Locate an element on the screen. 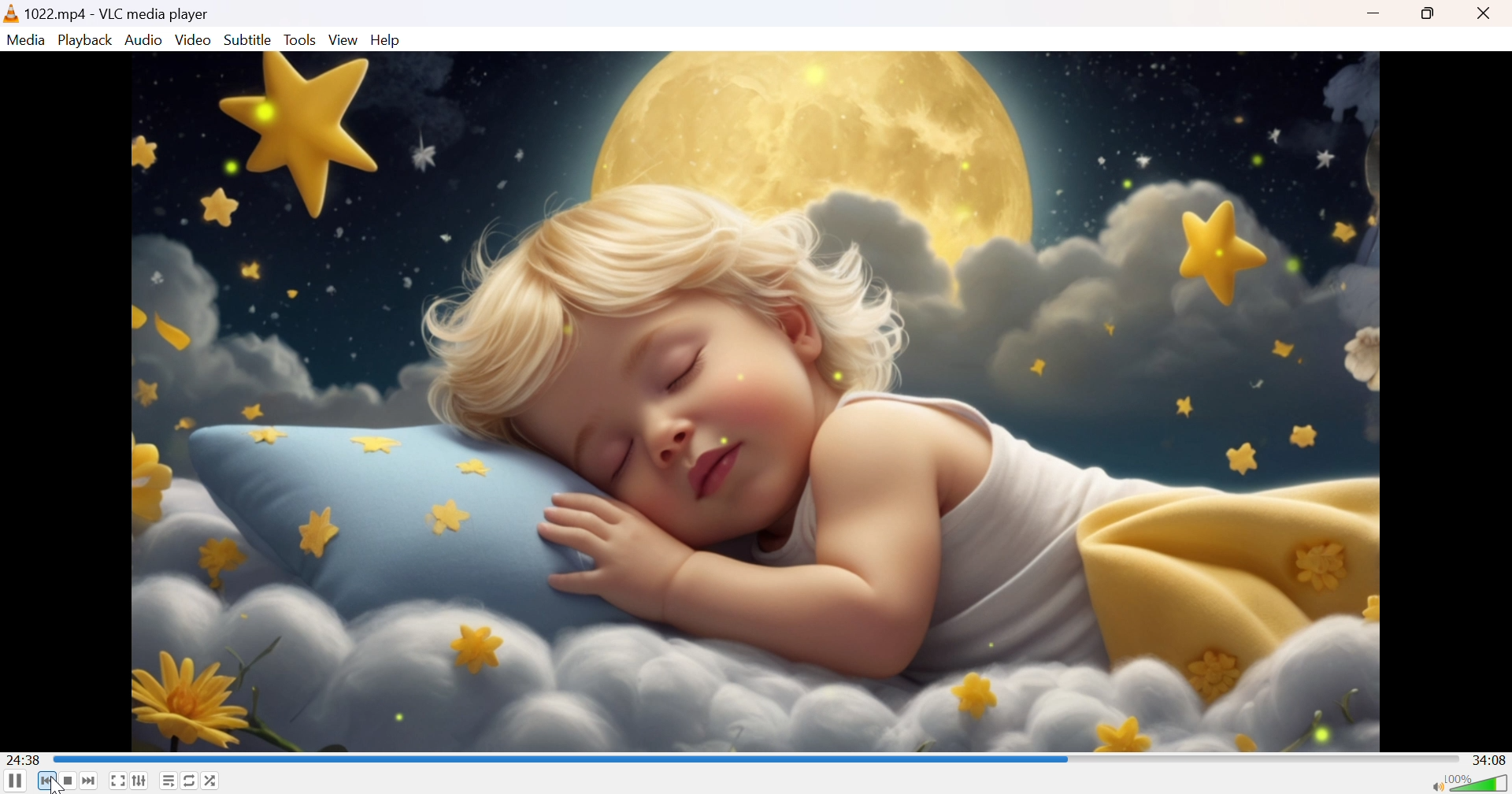  video is located at coordinates (758, 400).